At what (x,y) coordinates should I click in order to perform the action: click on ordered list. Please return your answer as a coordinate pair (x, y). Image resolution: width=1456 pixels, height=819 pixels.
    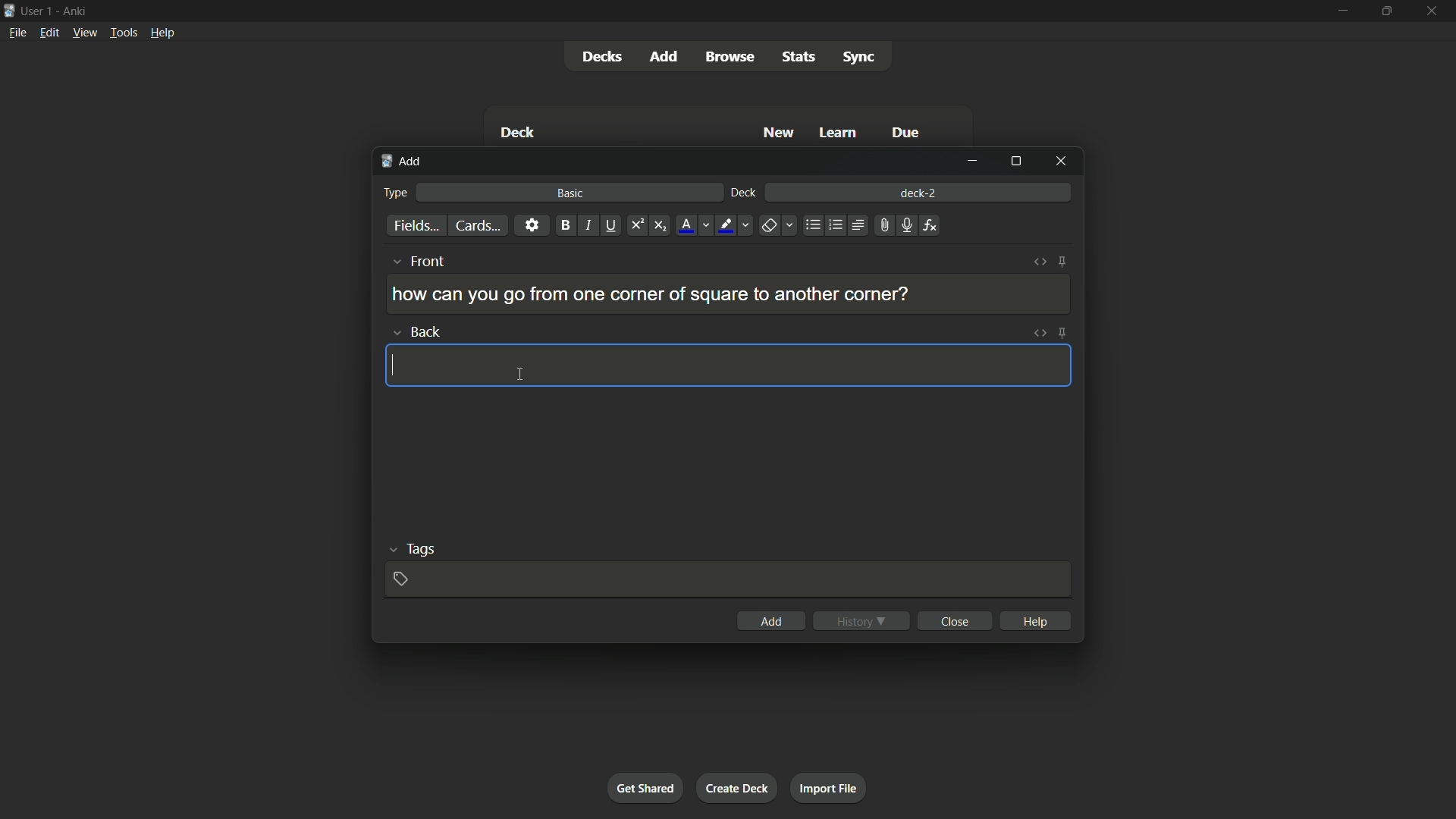
    Looking at the image, I should click on (833, 226).